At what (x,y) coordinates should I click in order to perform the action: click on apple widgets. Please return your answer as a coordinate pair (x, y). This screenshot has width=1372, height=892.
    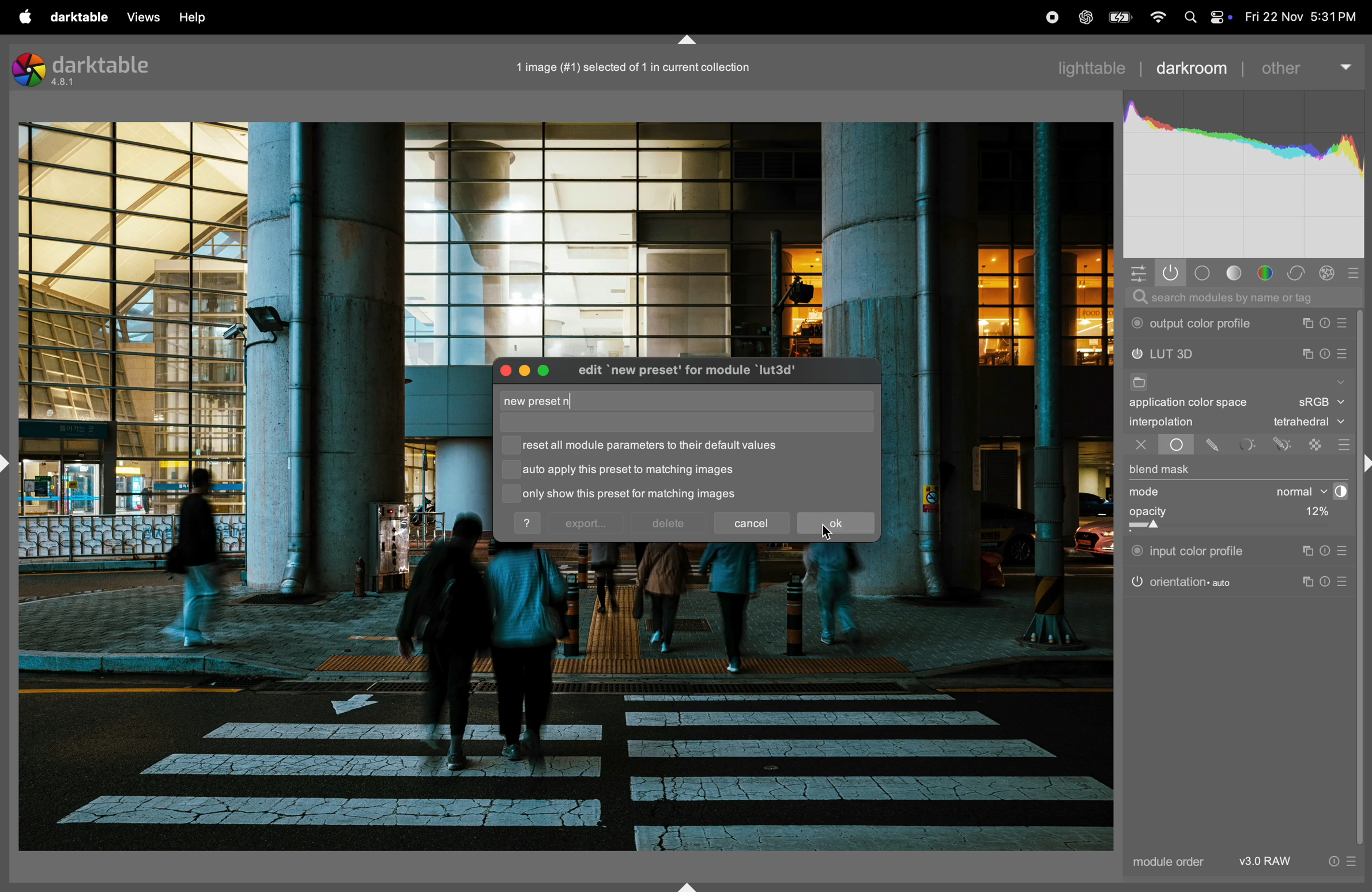
    Looking at the image, I should click on (1219, 17).